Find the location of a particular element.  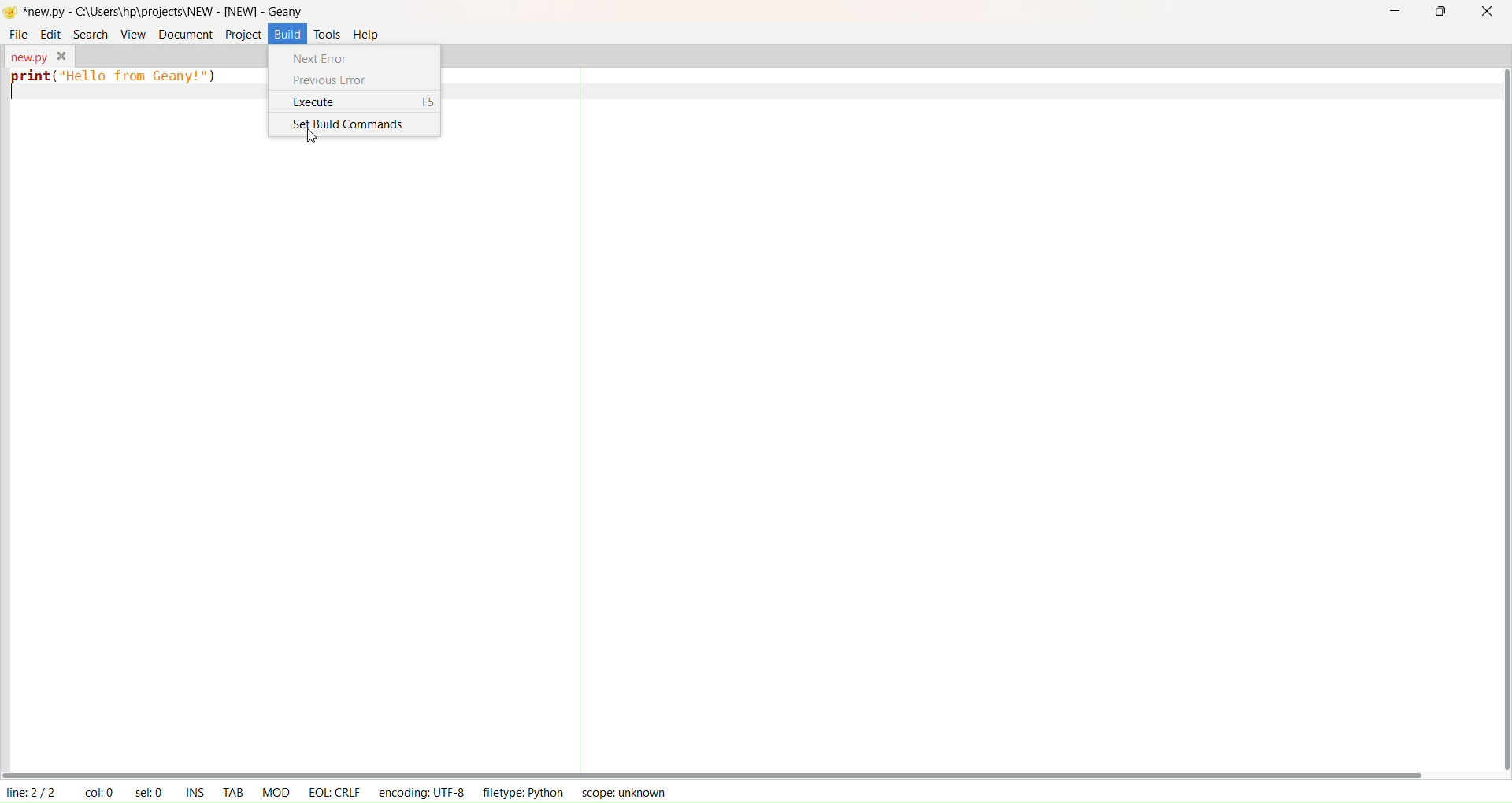

help is located at coordinates (376, 35).